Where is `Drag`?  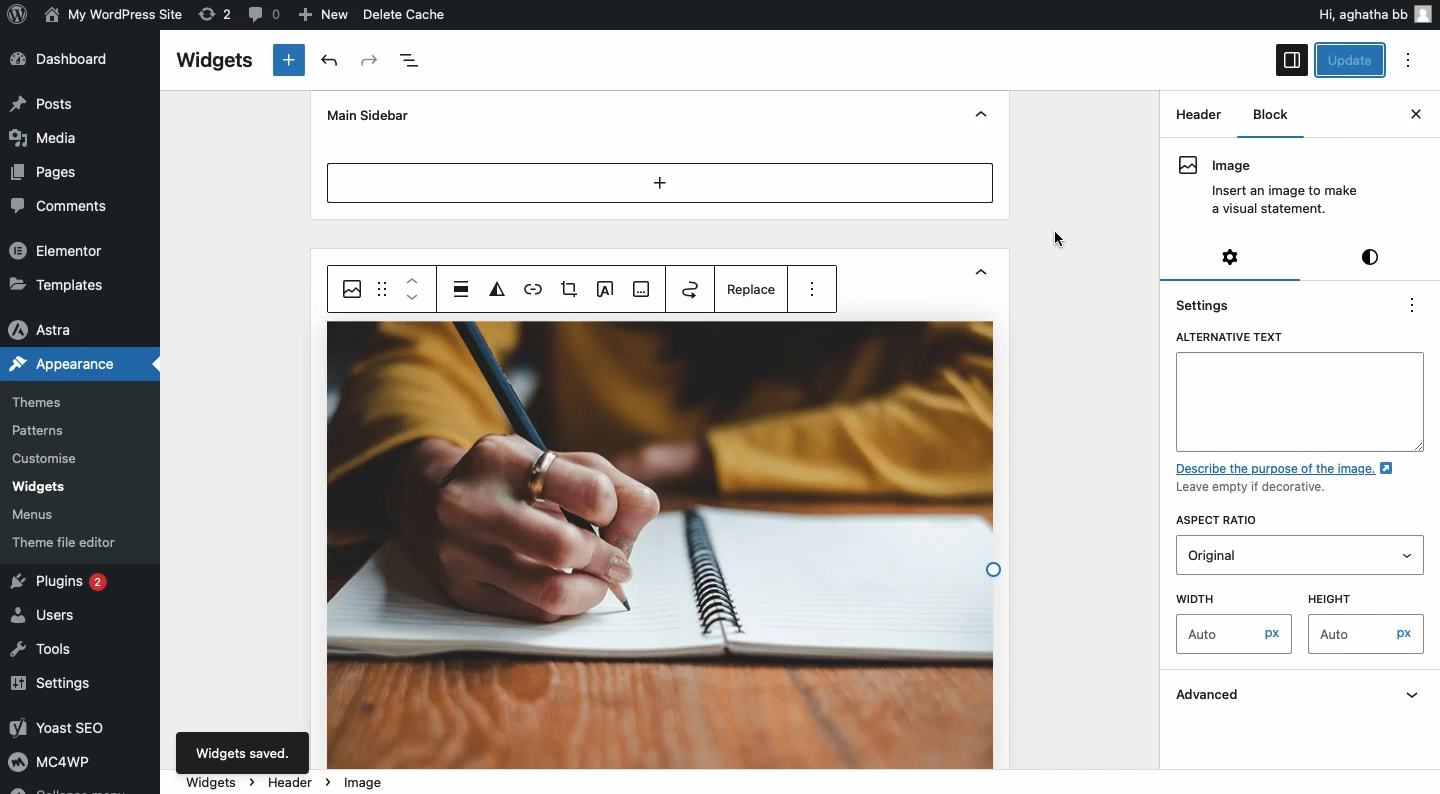
Drag is located at coordinates (384, 288).